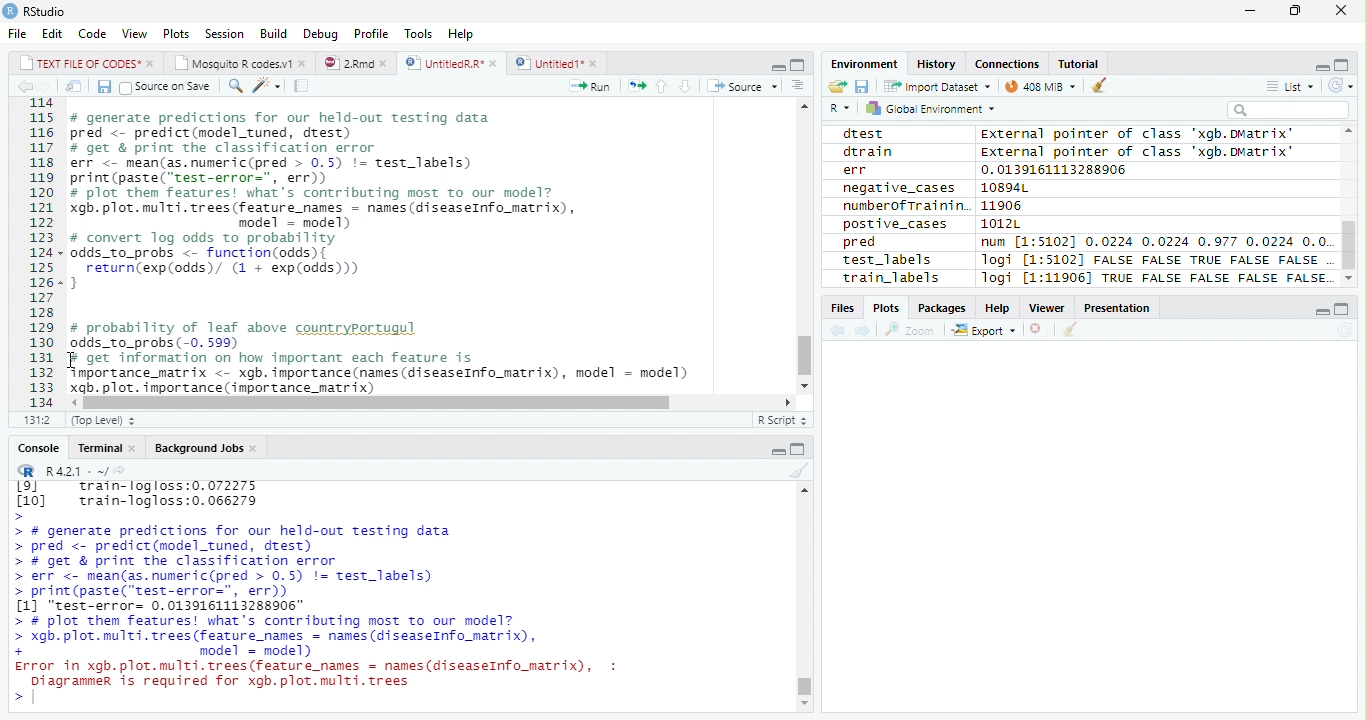 The height and width of the screenshot is (720, 1366). What do you see at coordinates (660, 86) in the screenshot?
I see `Up` at bounding box center [660, 86].